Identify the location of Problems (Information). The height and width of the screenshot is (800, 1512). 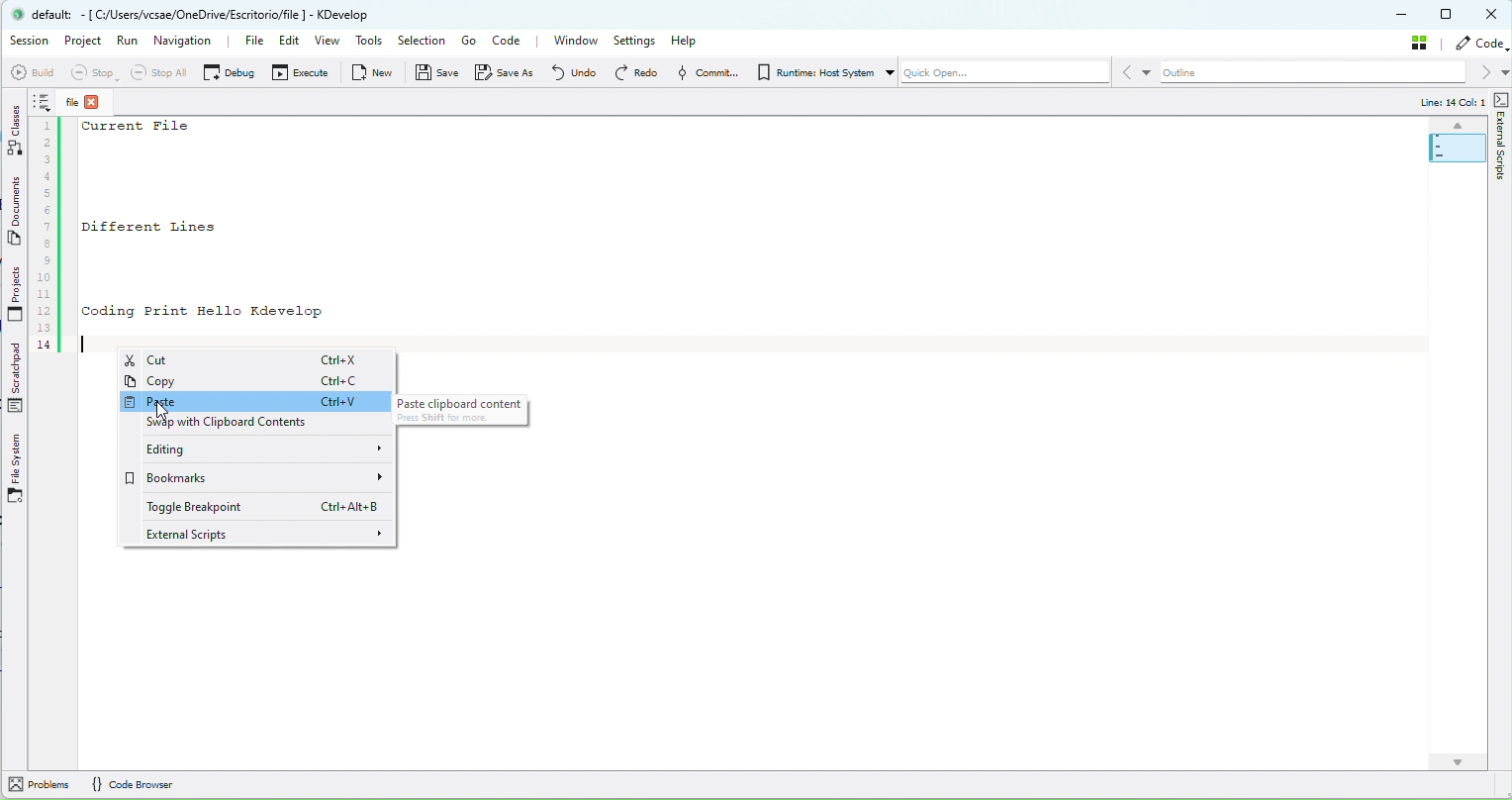
(42, 788).